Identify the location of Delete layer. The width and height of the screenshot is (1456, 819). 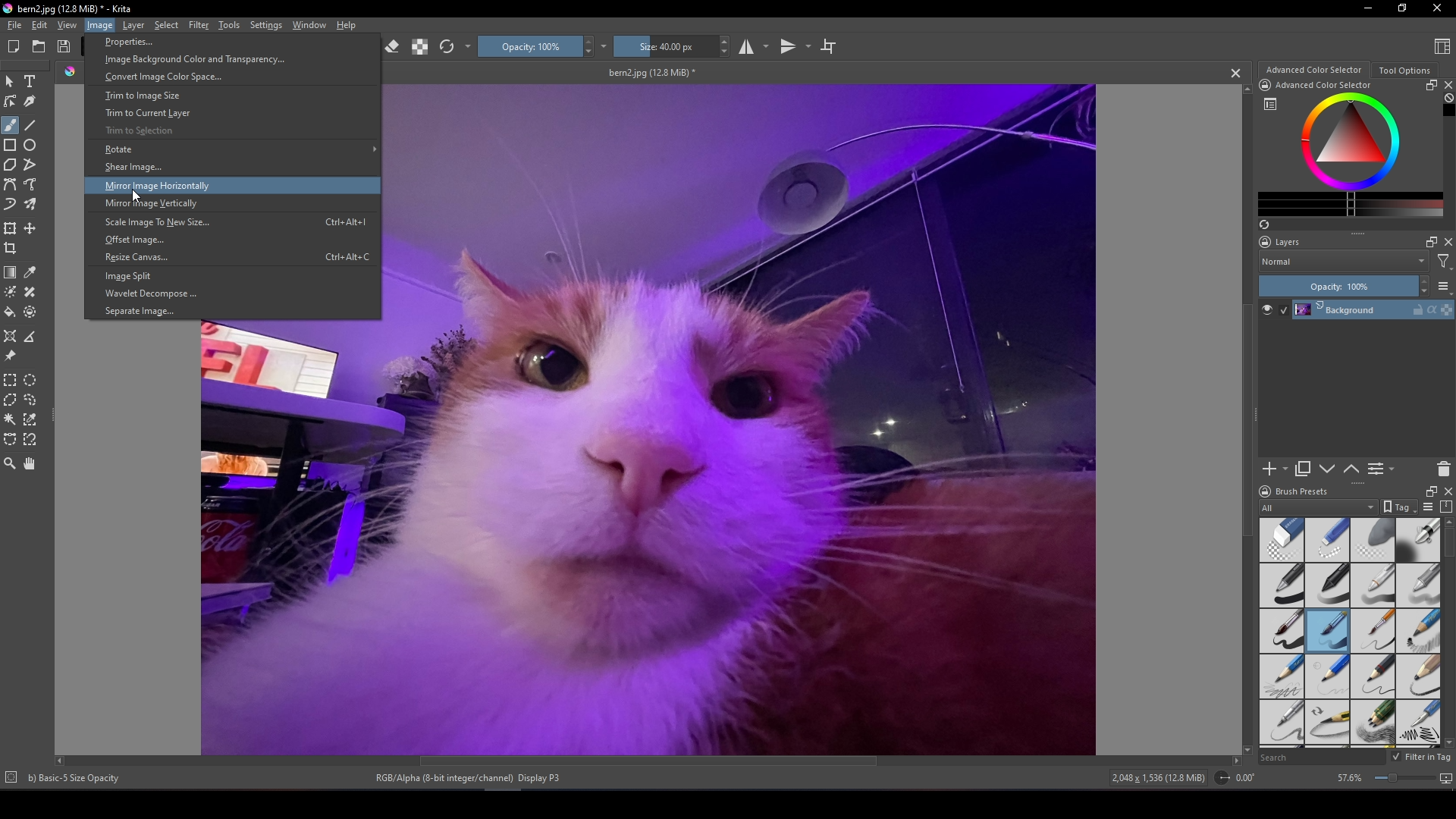
(1443, 469).